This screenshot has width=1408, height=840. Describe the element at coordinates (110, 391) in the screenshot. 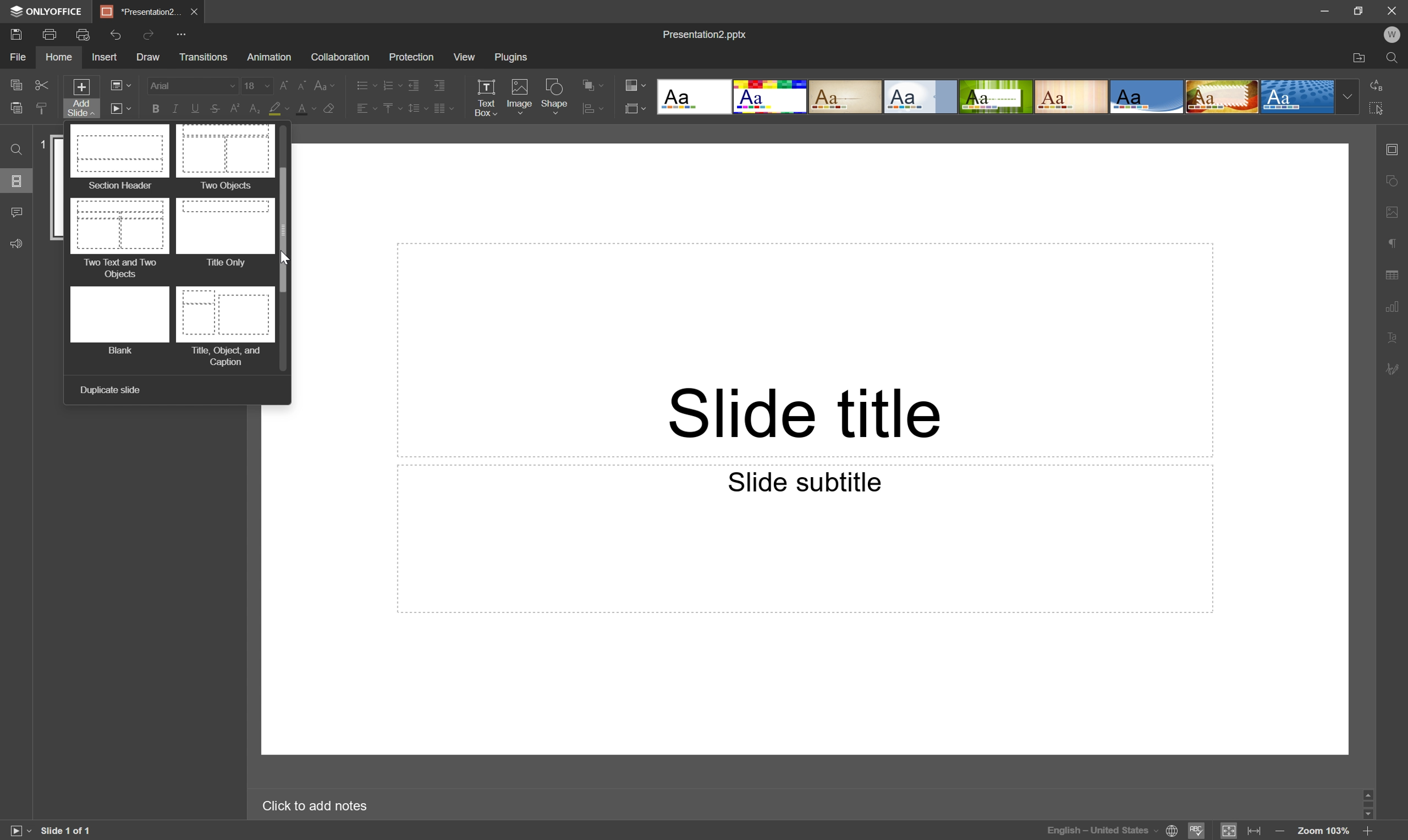

I see `Duplicate slide` at that location.